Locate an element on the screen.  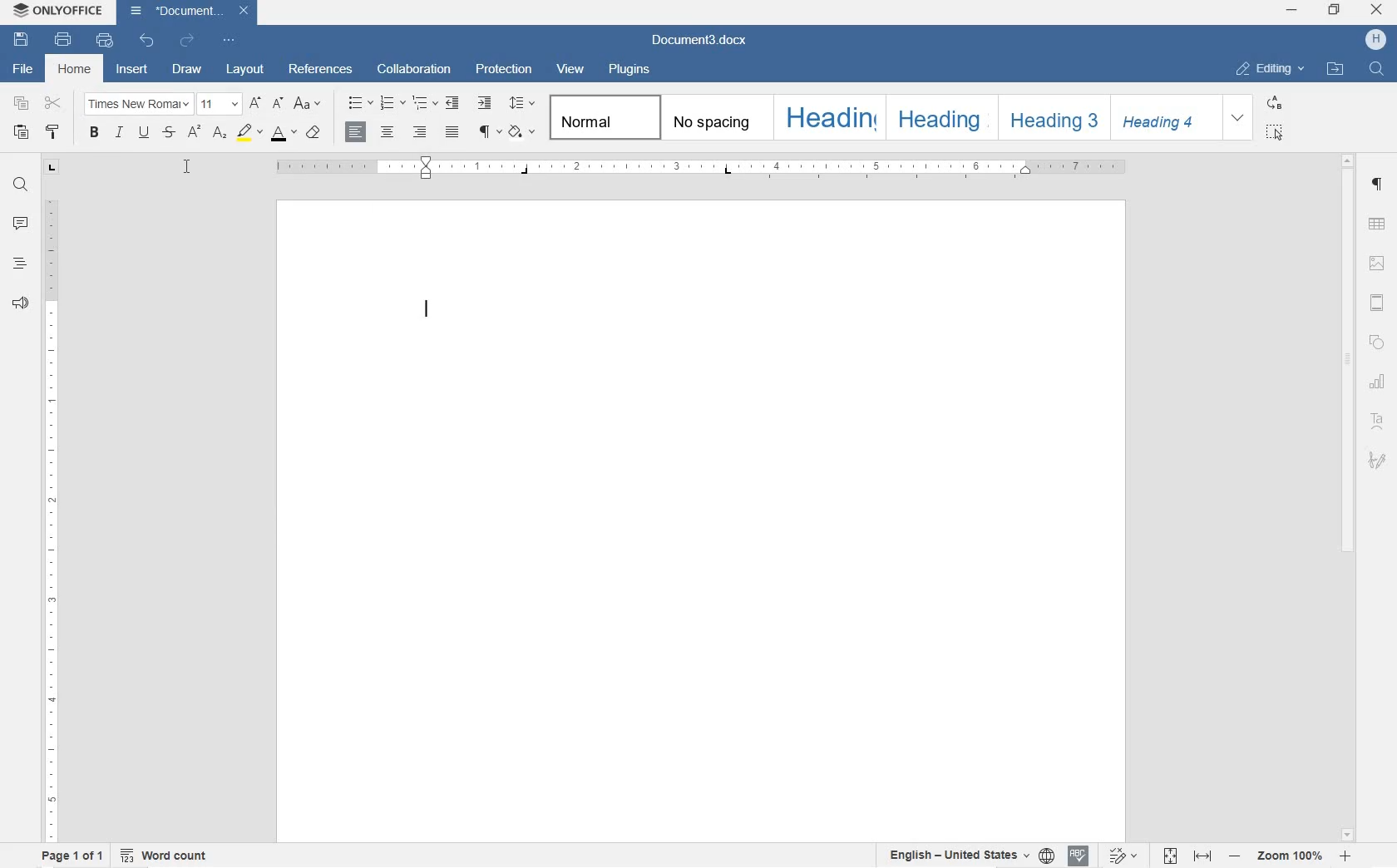
SHAPE is located at coordinates (1377, 340).